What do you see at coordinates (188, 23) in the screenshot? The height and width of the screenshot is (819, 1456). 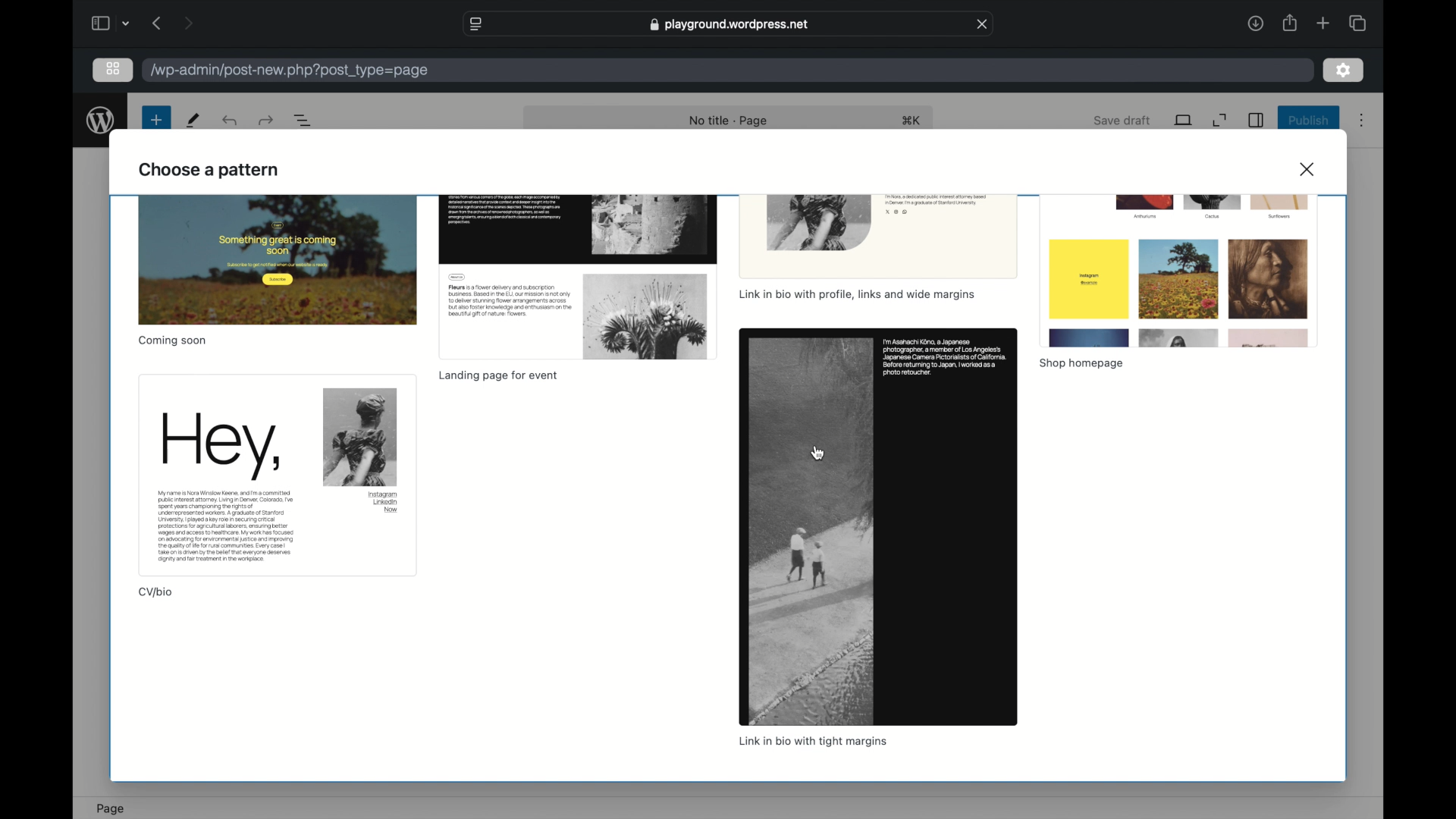 I see `next page` at bounding box center [188, 23].